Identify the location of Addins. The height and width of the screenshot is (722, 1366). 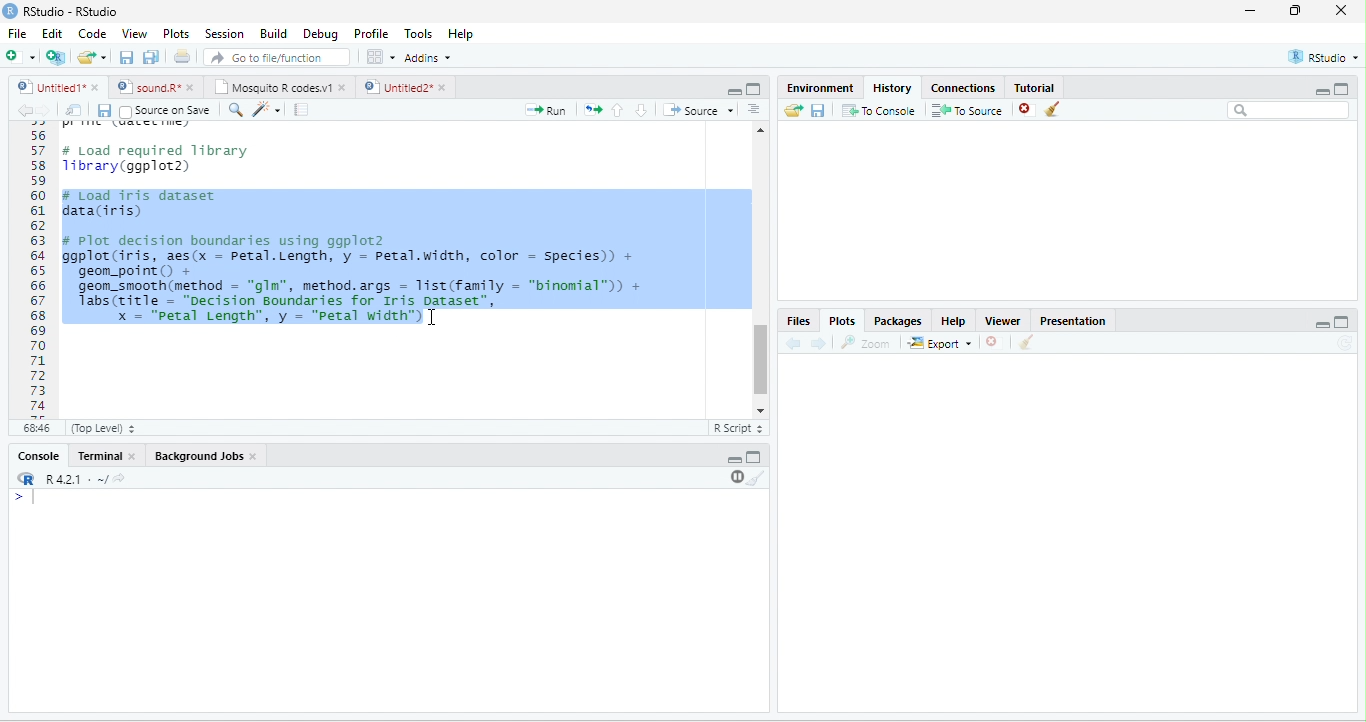
(428, 58).